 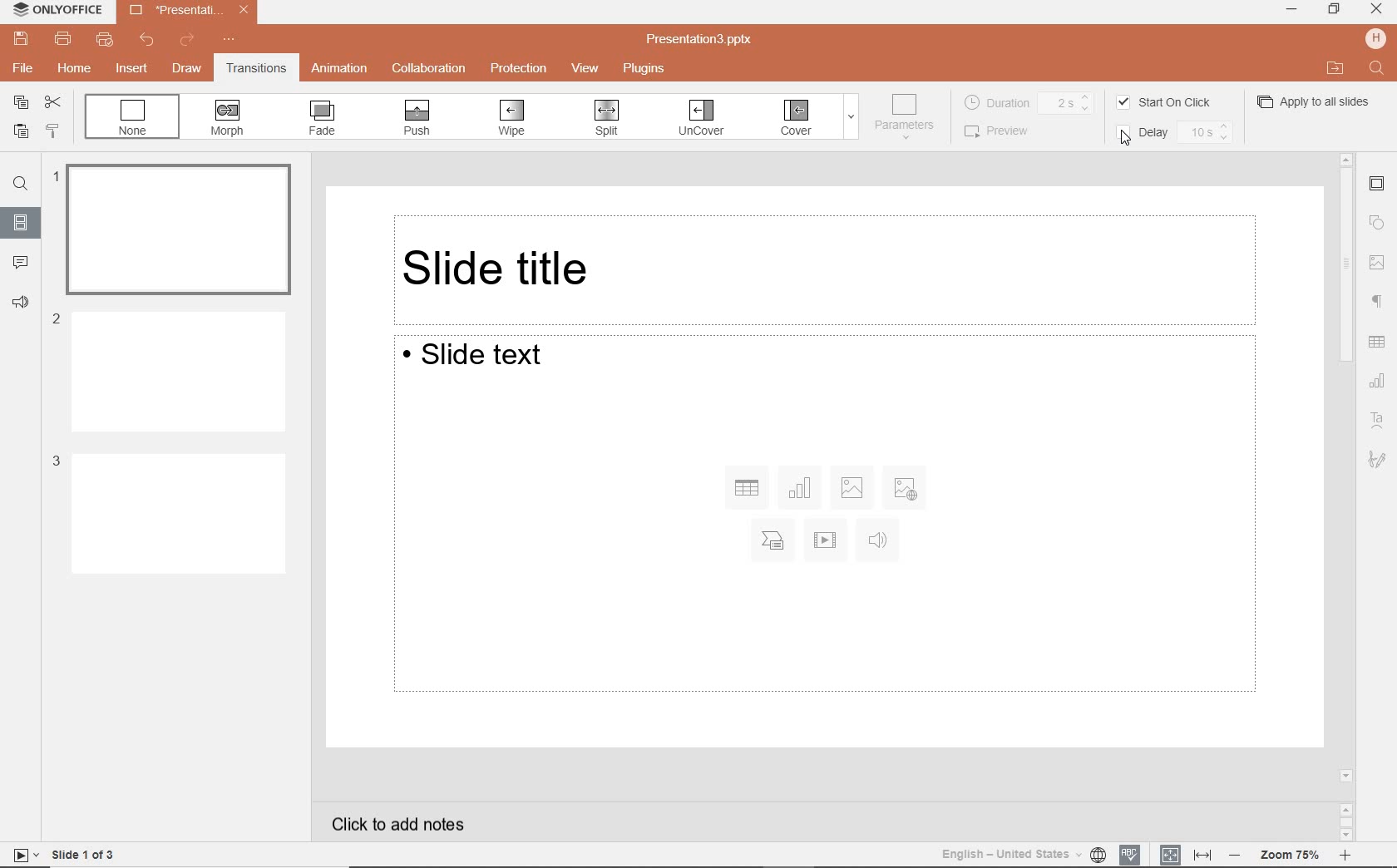 What do you see at coordinates (340, 68) in the screenshot?
I see `animation` at bounding box center [340, 68].